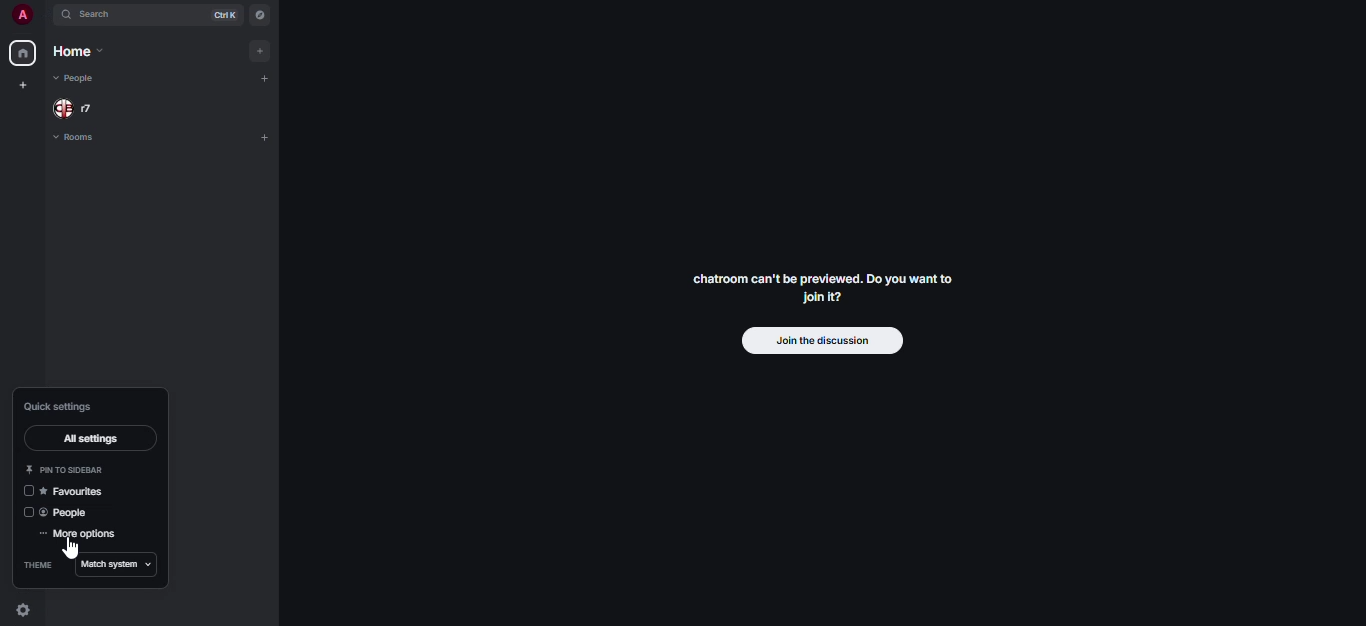 Image resolution: width=1366 pixels, height=626 pixels. What do you see at coordinates (225, 14) in the screenshot?
I see `ctrl K` at bounding box center [225, 14].